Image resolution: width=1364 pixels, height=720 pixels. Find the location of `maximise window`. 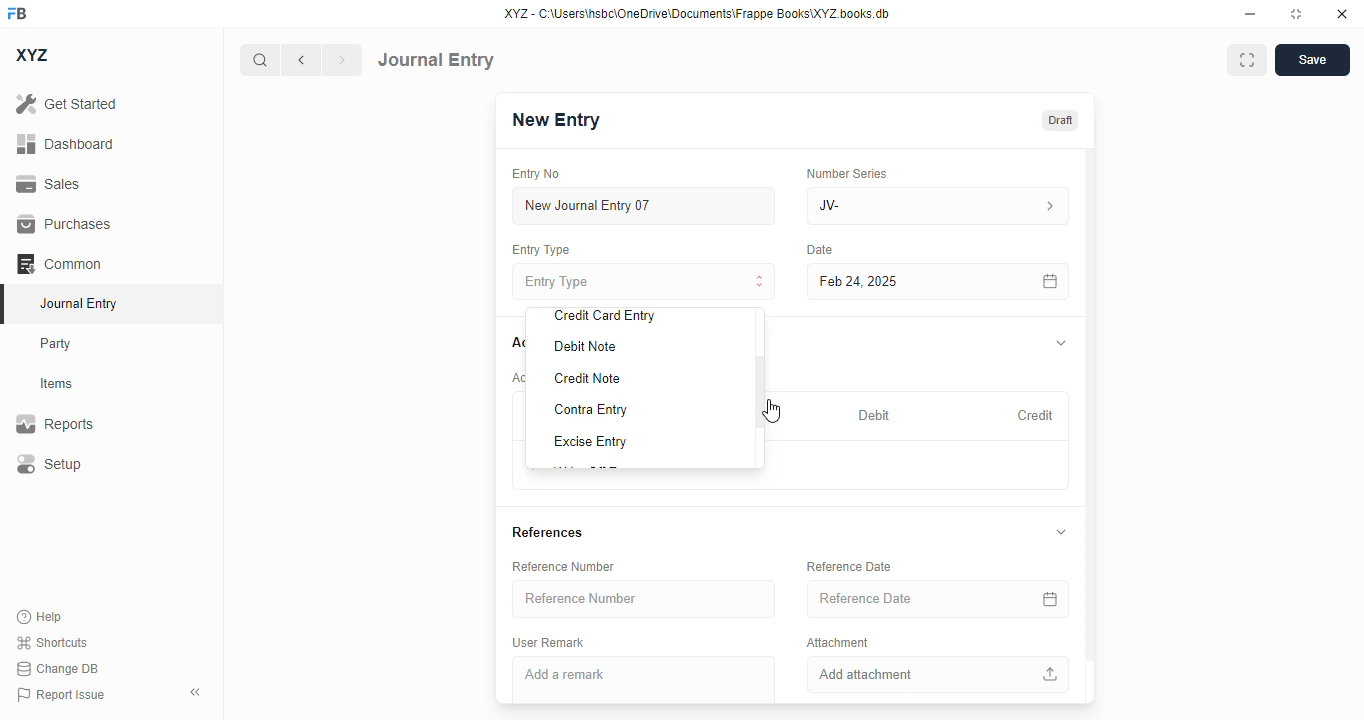

maximise window is located at coordinates (1247, 60).